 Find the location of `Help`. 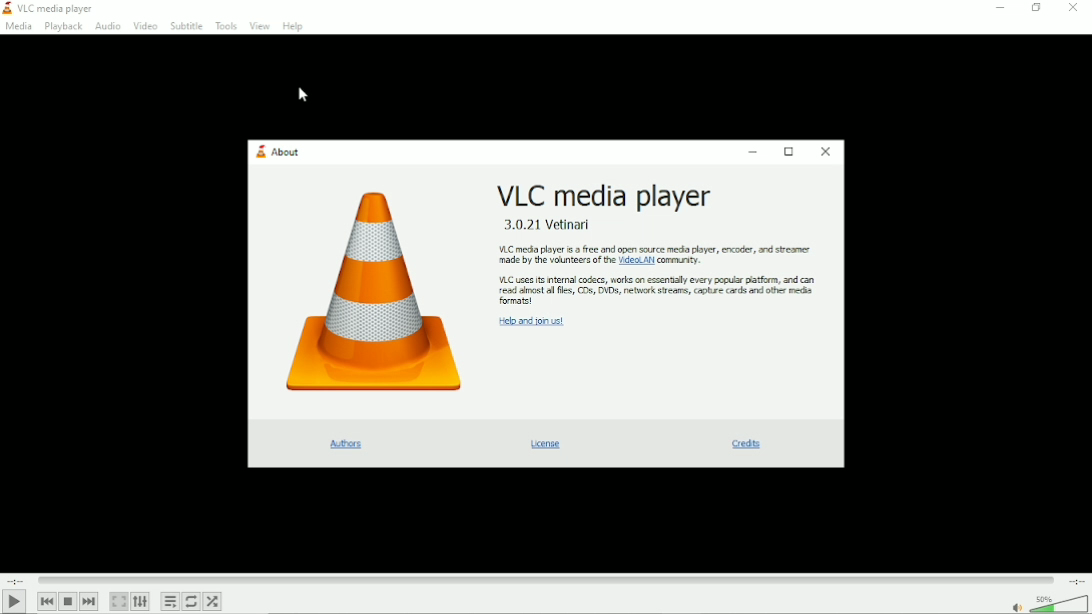

Help is located at coordinates (294, 26).